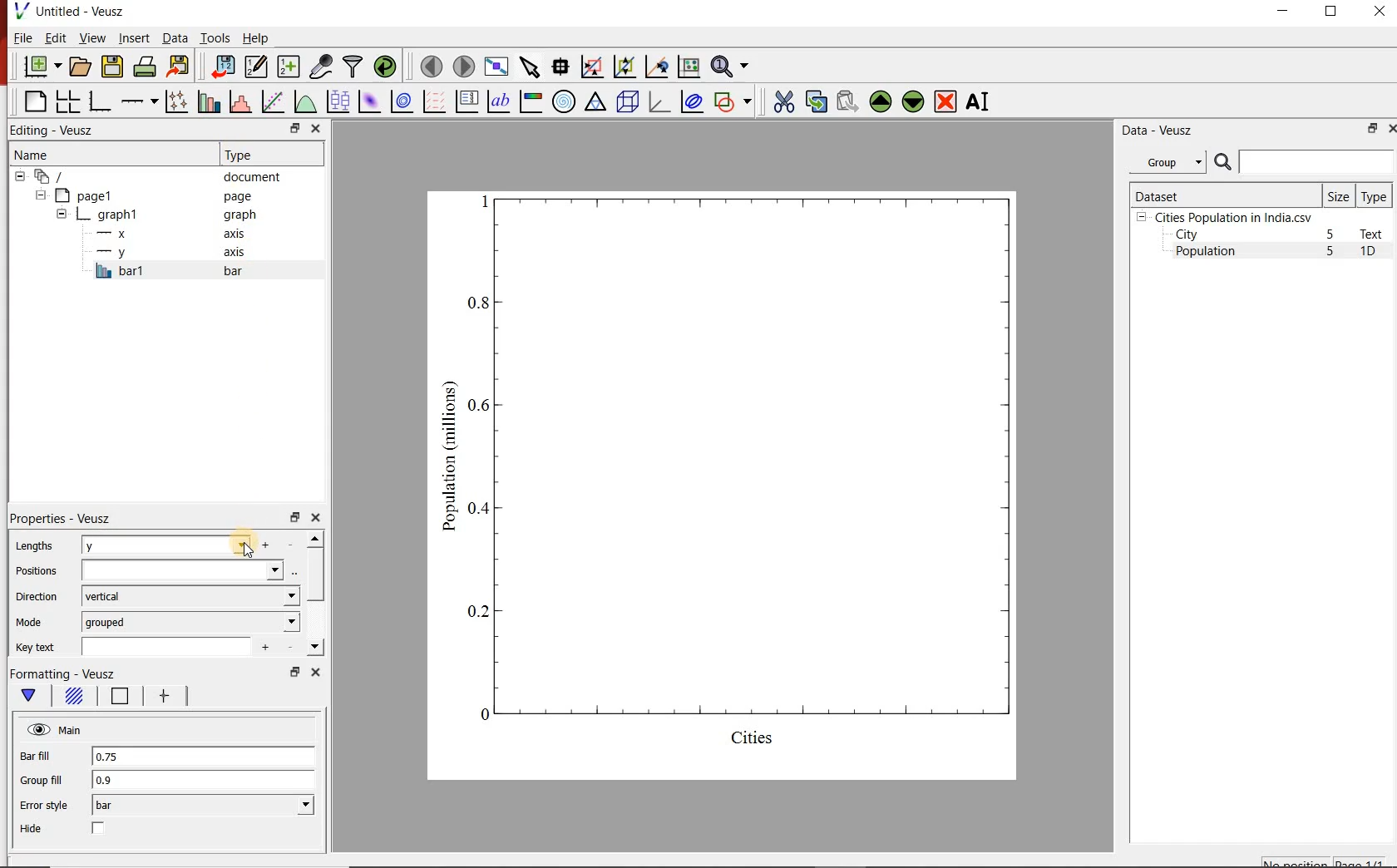 The image size is (1397, 868). I want to click on close, so click(315, 518).